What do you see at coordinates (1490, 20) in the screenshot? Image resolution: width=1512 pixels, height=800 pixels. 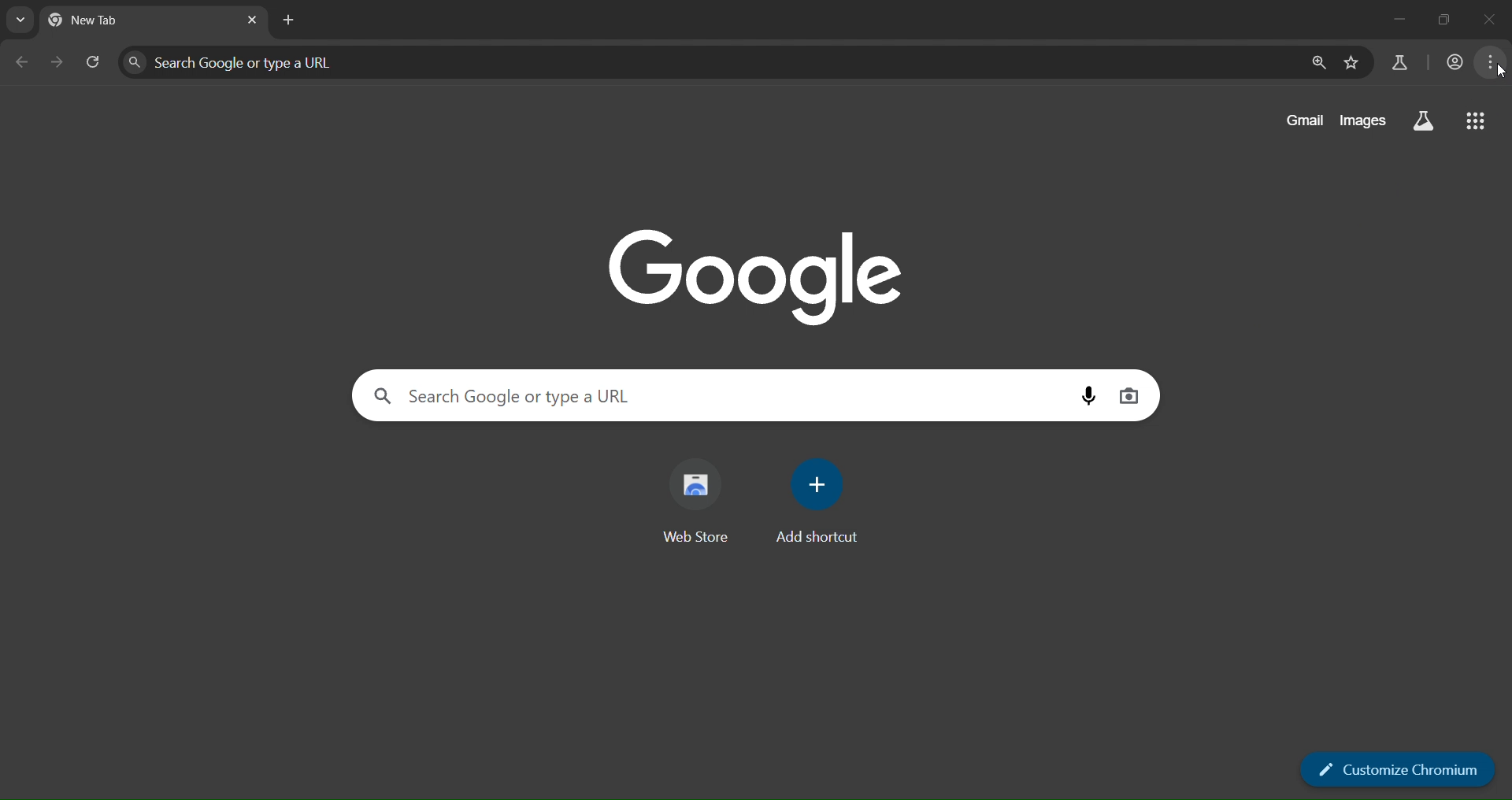 I see `close` at bounding box center [1490, 20].